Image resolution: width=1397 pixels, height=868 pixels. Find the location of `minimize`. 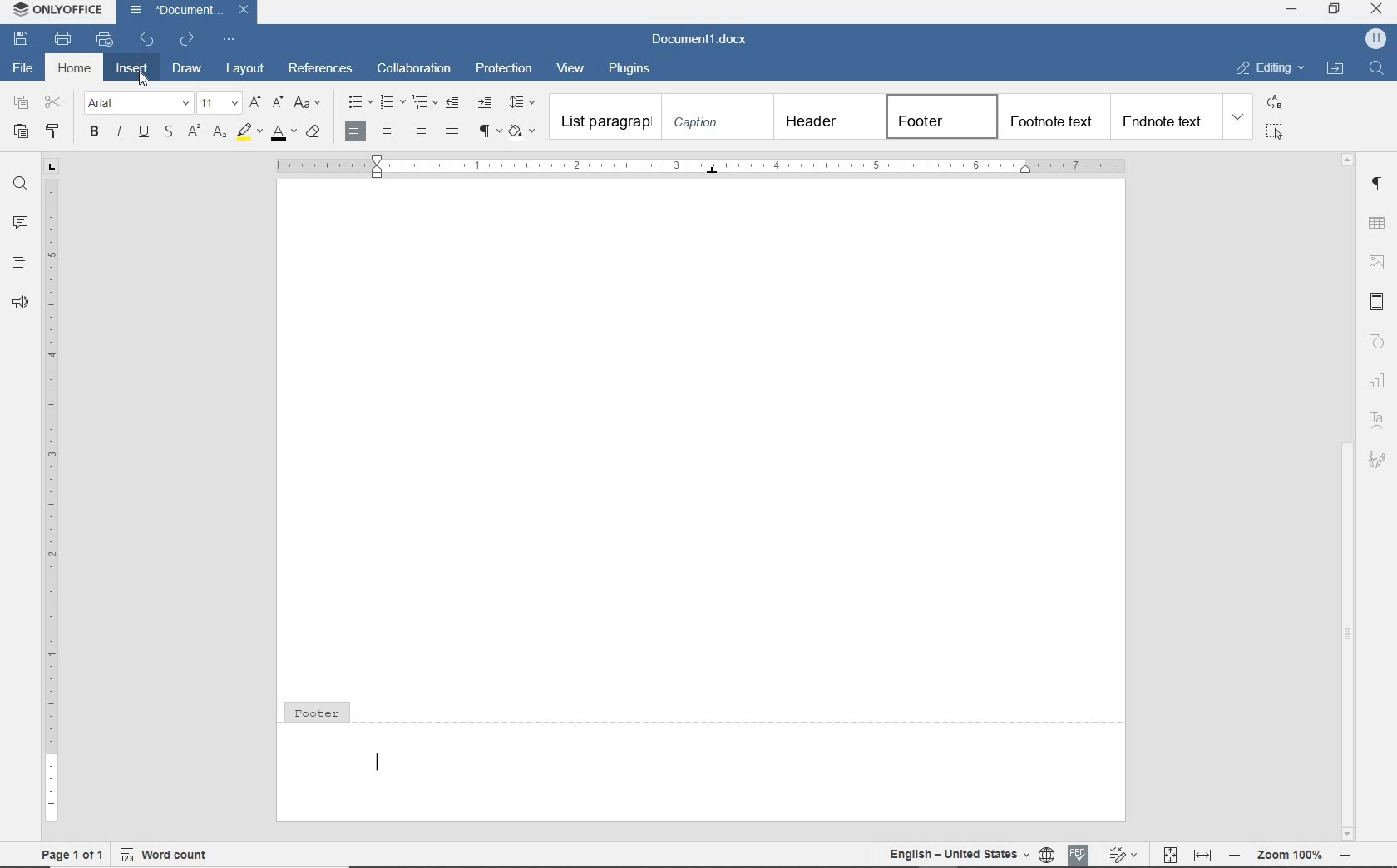

minimize is located at coordinates (1291, 11).